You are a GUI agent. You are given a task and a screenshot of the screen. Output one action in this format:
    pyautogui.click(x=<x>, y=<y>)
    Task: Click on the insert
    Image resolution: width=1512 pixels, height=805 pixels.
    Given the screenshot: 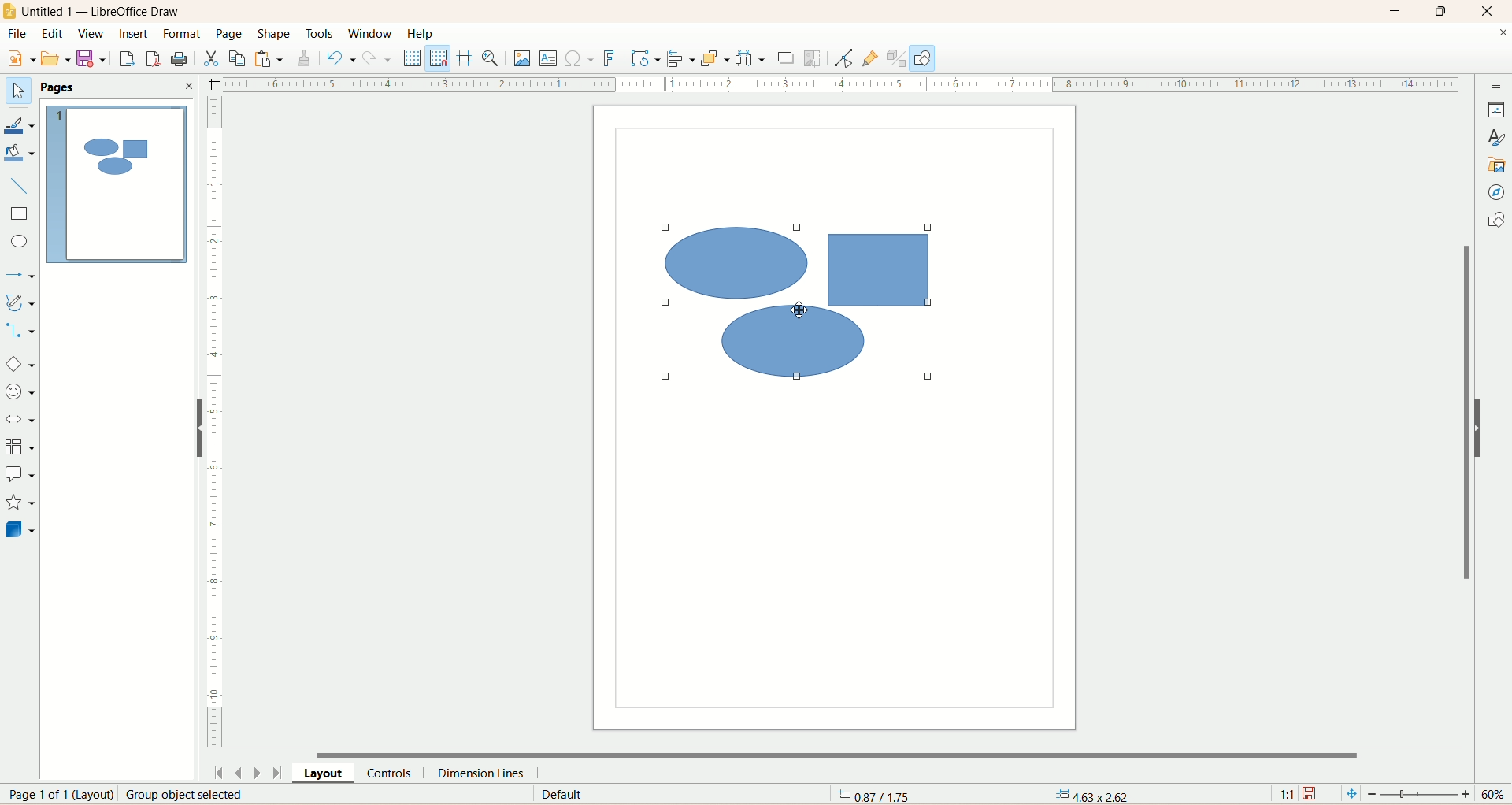 What is the action you would take?
    pyautogui.click(x=138, y=39)
    